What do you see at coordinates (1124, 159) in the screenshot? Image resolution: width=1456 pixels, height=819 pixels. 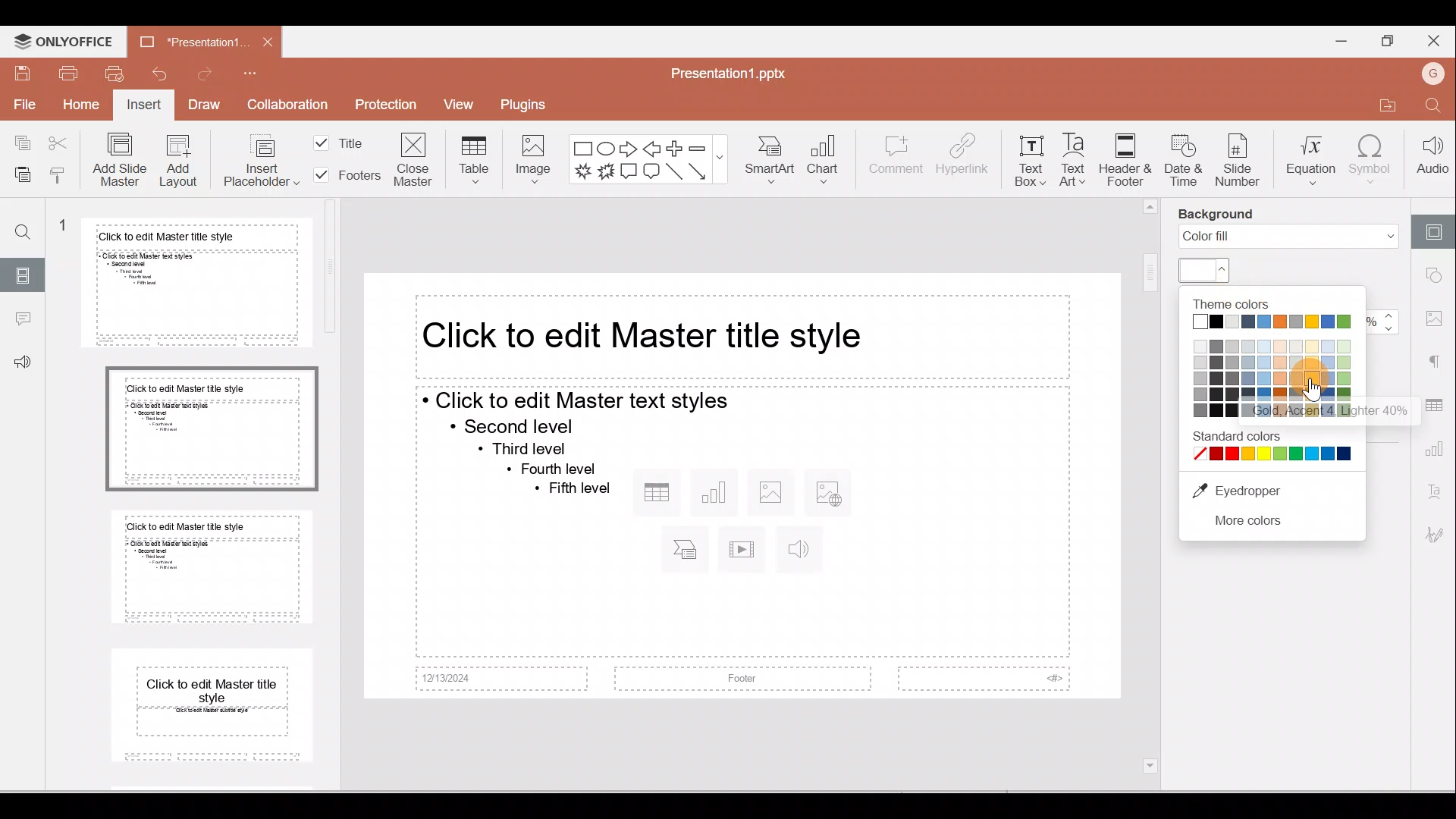 I see `Header & footer` at bounding box center [1124, 159].